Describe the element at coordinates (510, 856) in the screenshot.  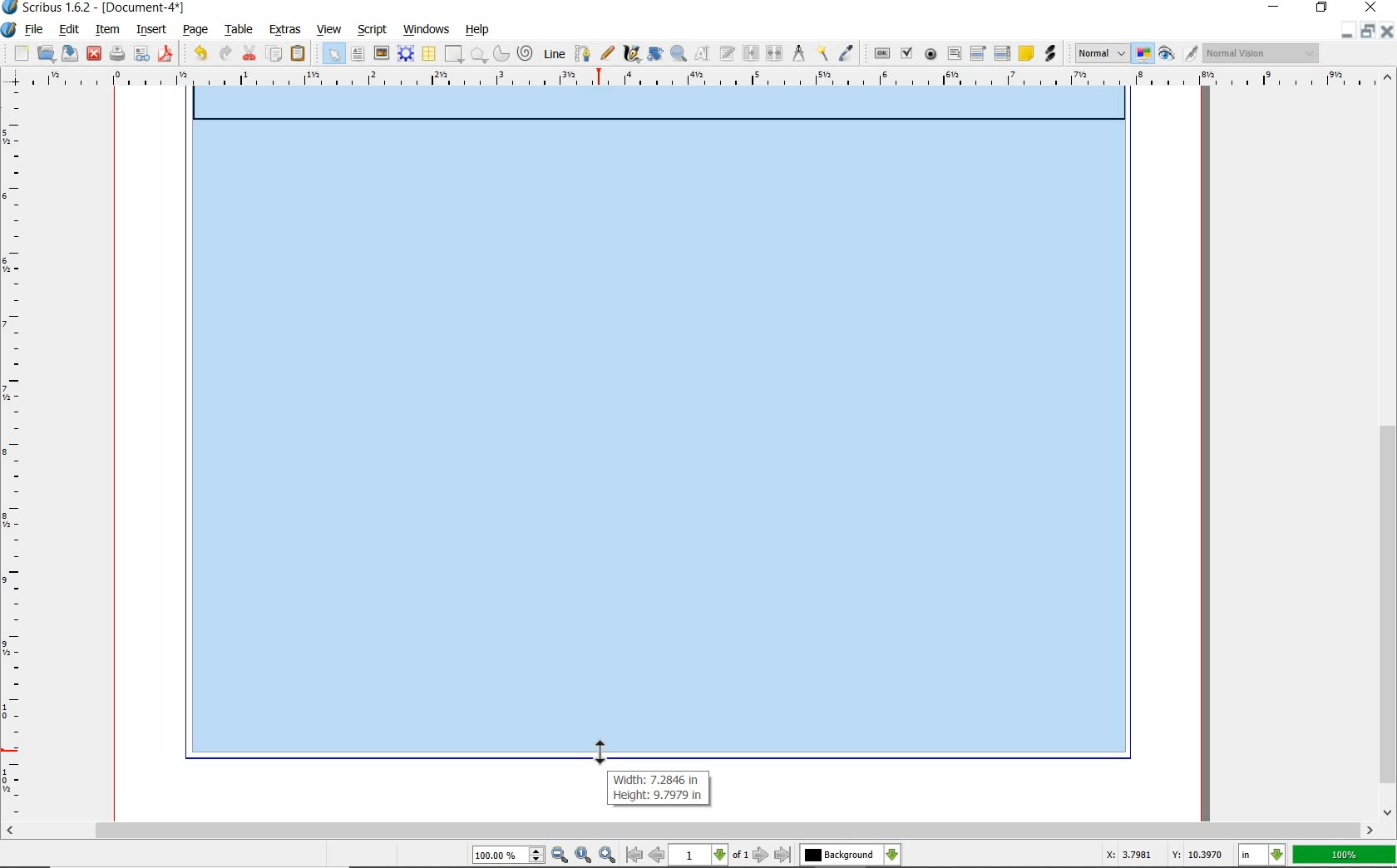
I see `100.00%` at that location.